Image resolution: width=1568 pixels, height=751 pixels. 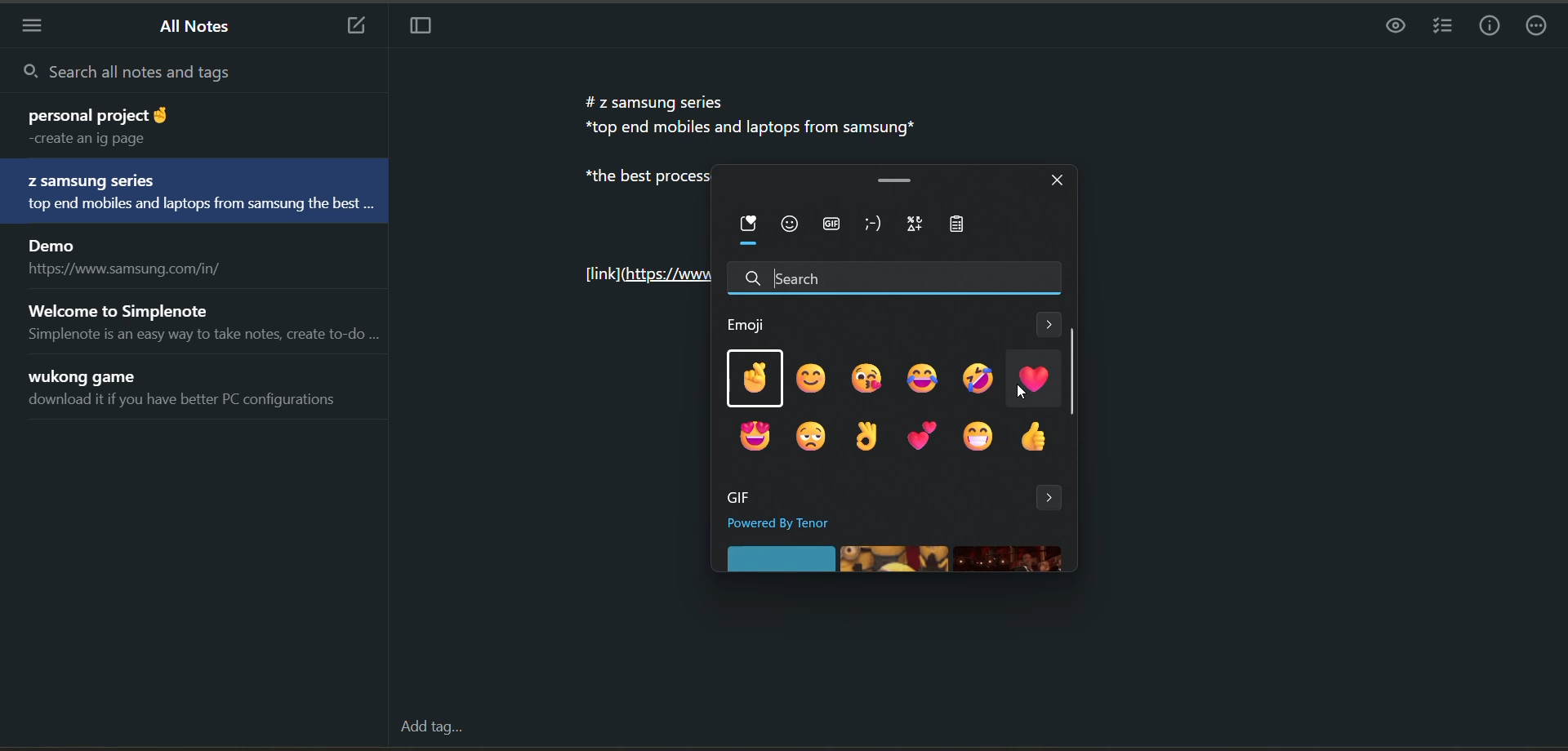 What do you see at coordinates (897, 278) in the screenshot?
I see `search` at bounding box center [897, 278].